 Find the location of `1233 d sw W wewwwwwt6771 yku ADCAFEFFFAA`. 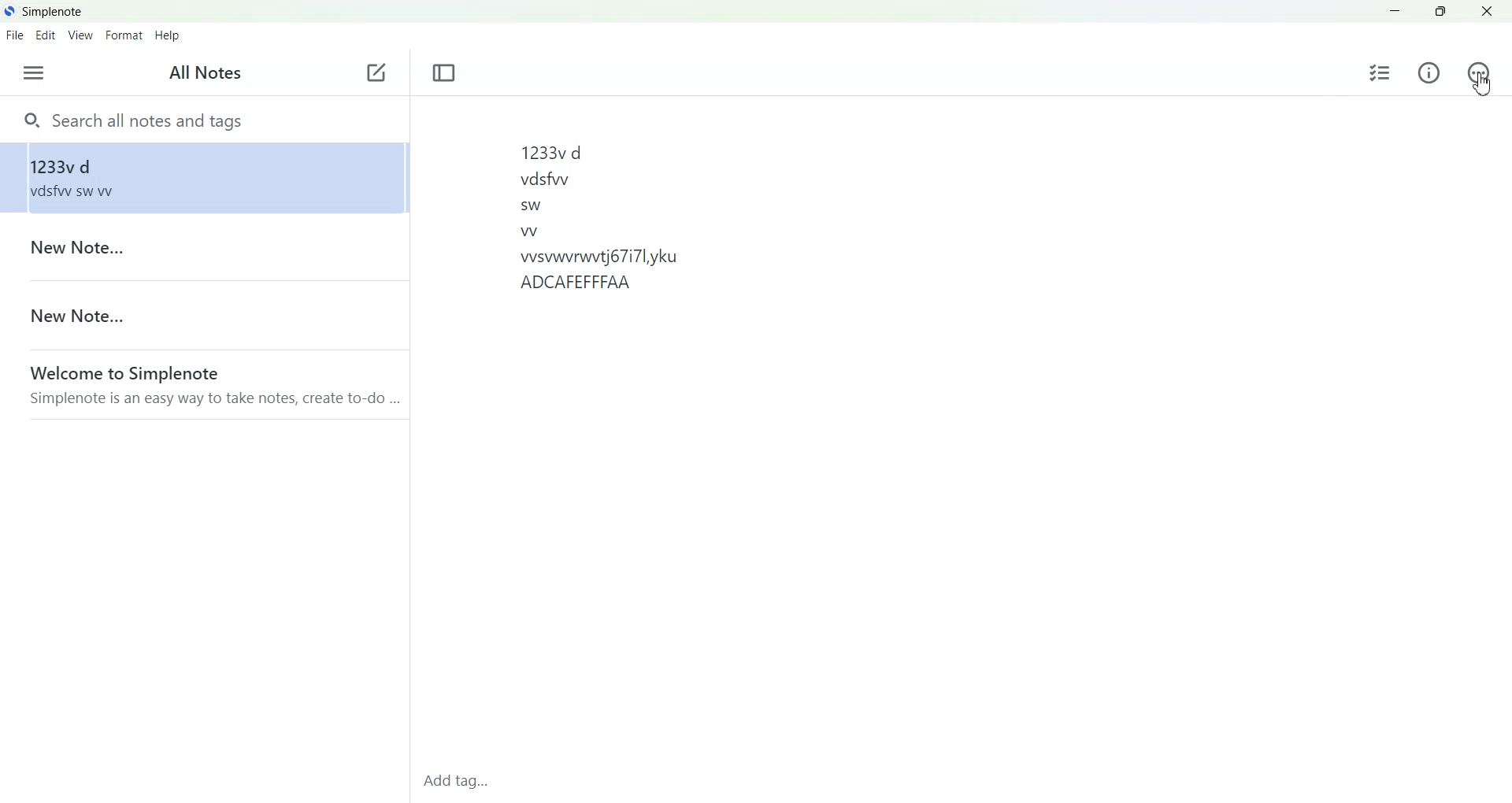

1233 d sw W wewwwwwt6771 yku ADCAFEFFFAA is located at coordinates (959, 436).